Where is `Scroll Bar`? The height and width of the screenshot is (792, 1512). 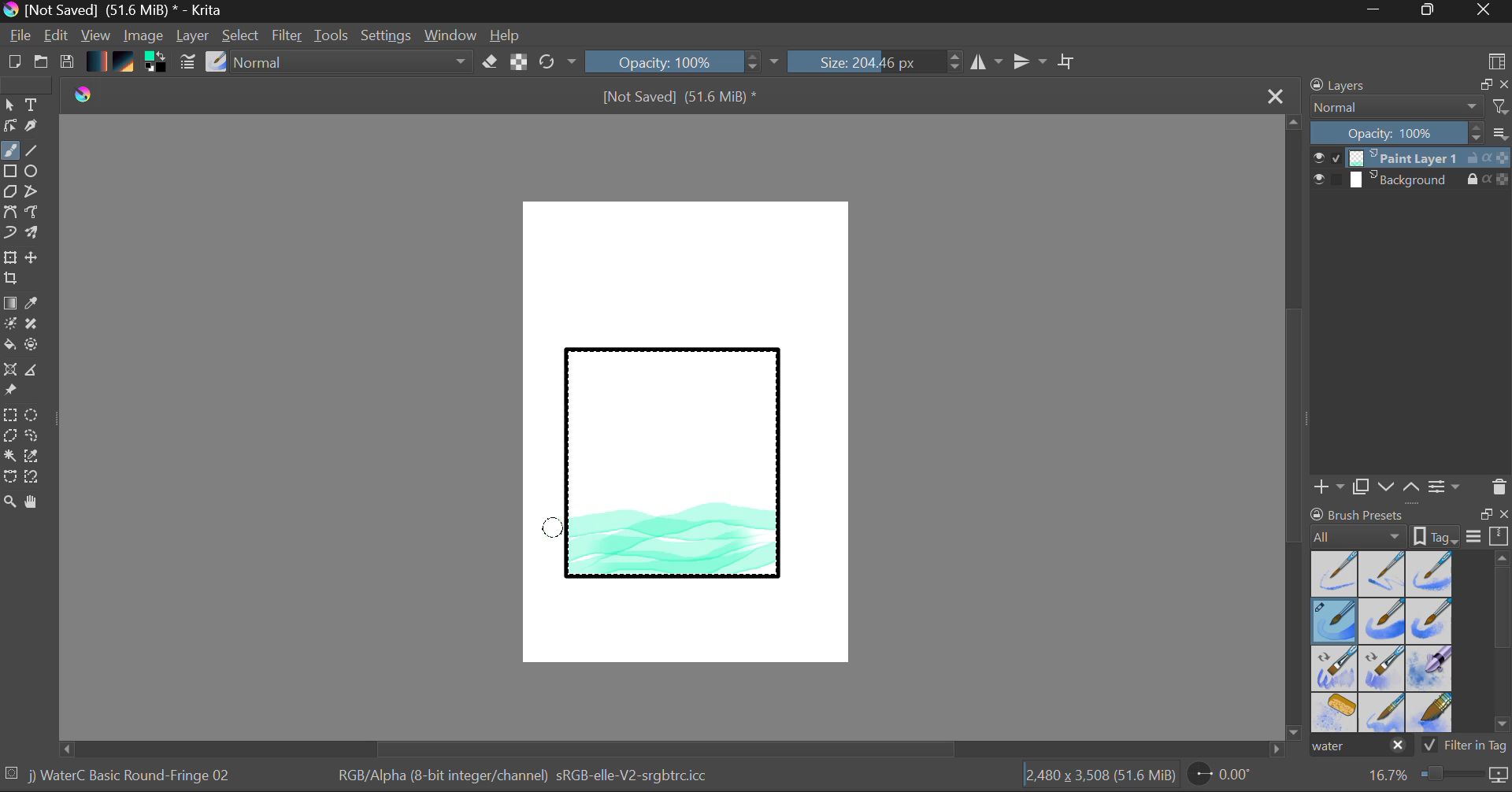
Scroll Bar is located at coordinates (1295, 429).